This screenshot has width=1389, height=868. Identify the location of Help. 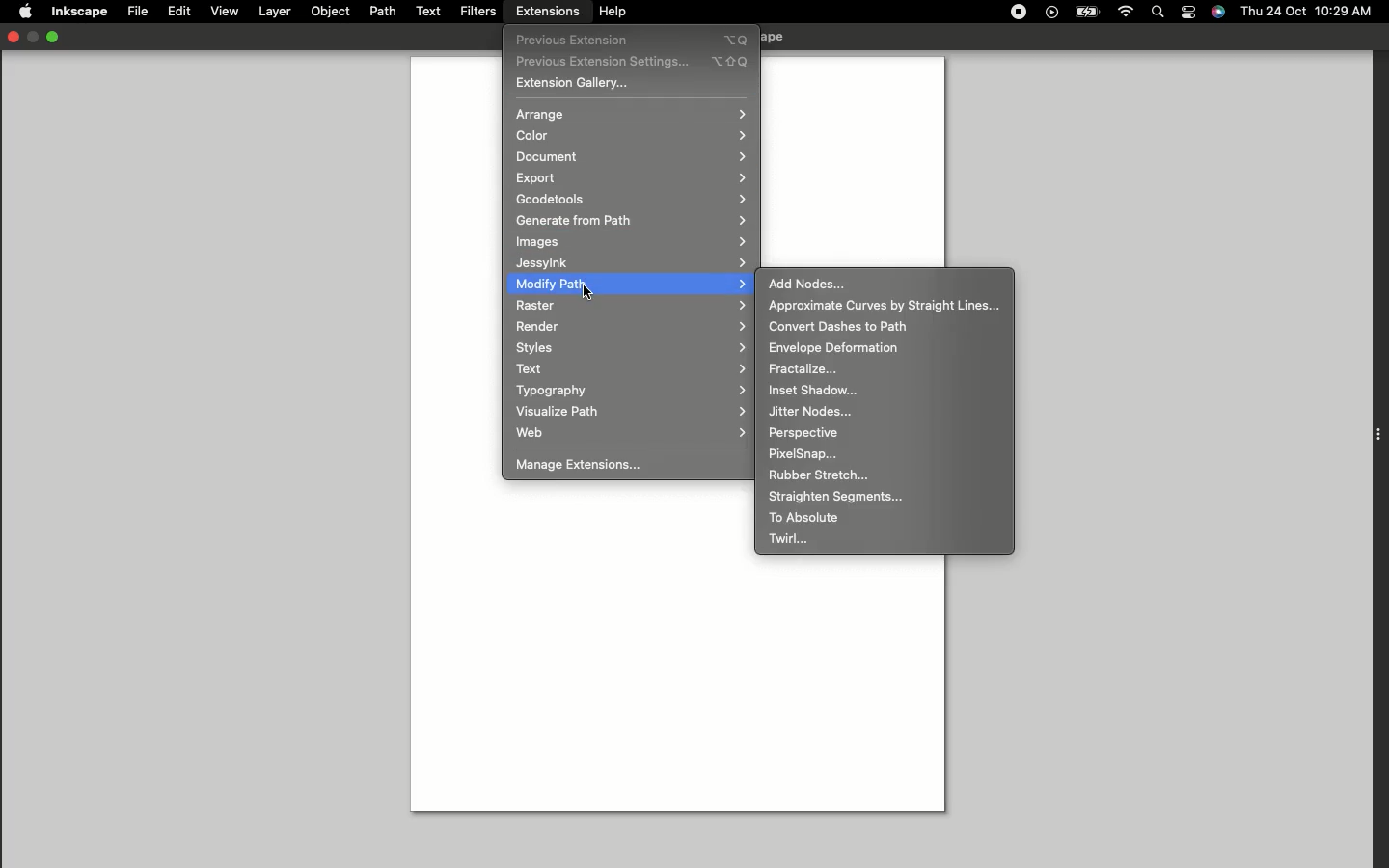
(613, 11).